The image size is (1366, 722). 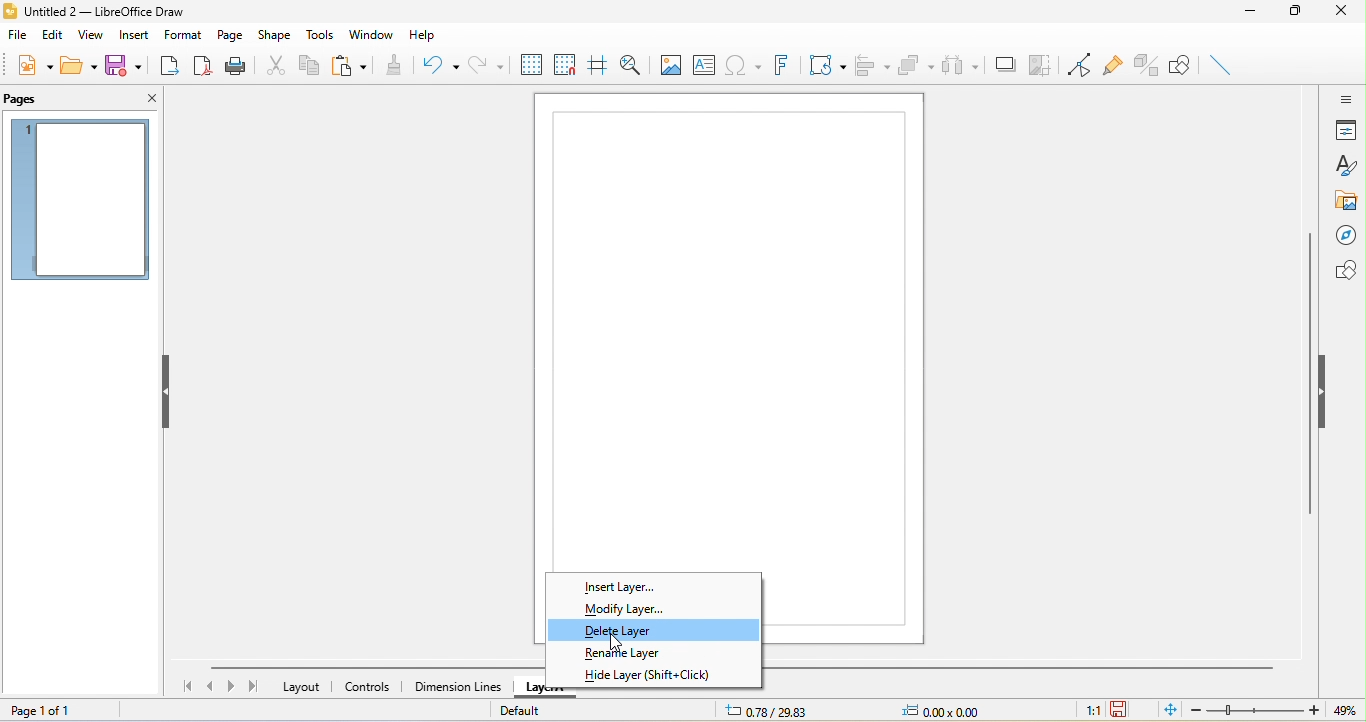 I want to click on save, so click(x=125, y=67).